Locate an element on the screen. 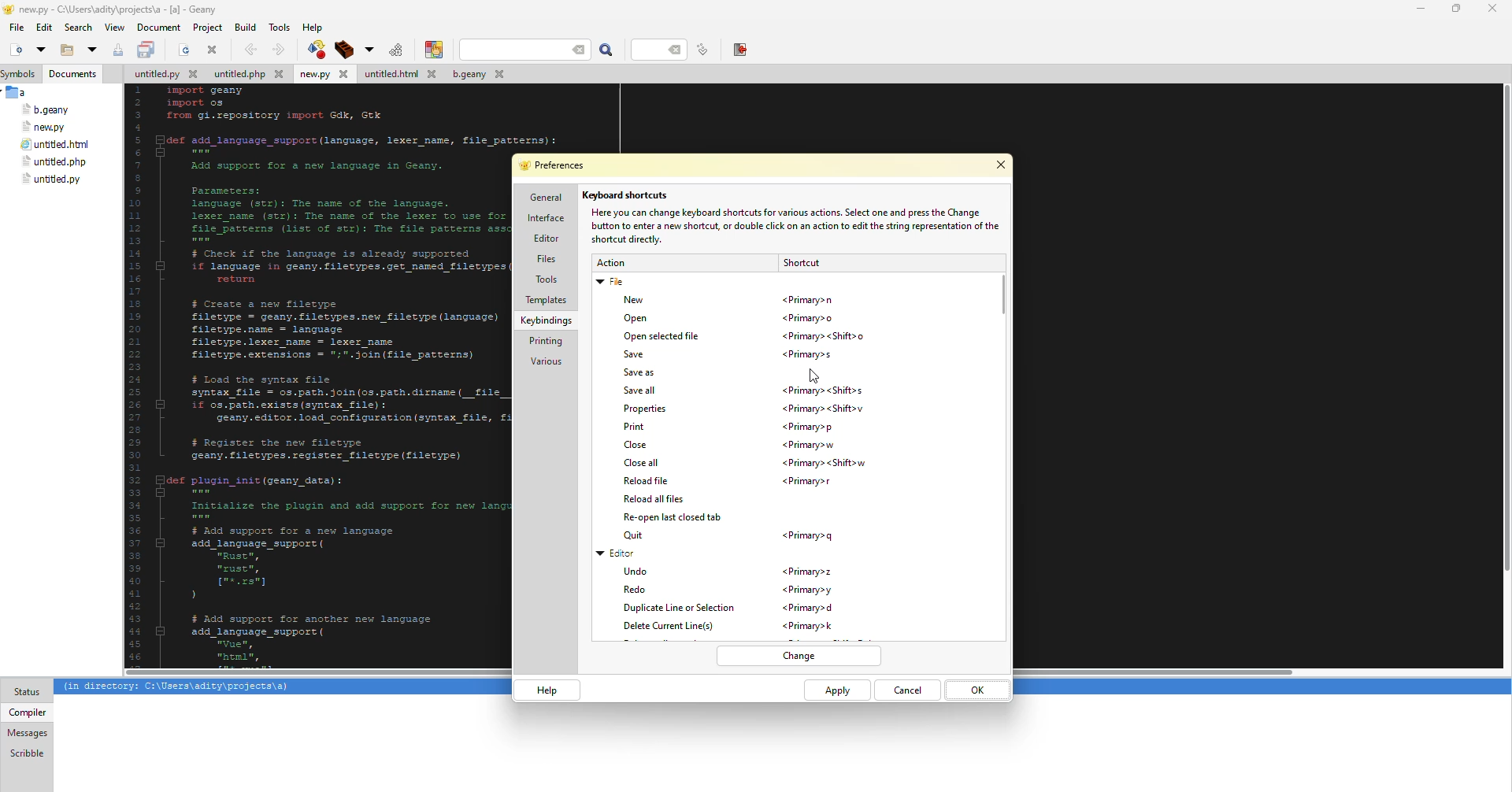 This screenshot has height=792, width=1512. build is located at coordinates (245, 26).